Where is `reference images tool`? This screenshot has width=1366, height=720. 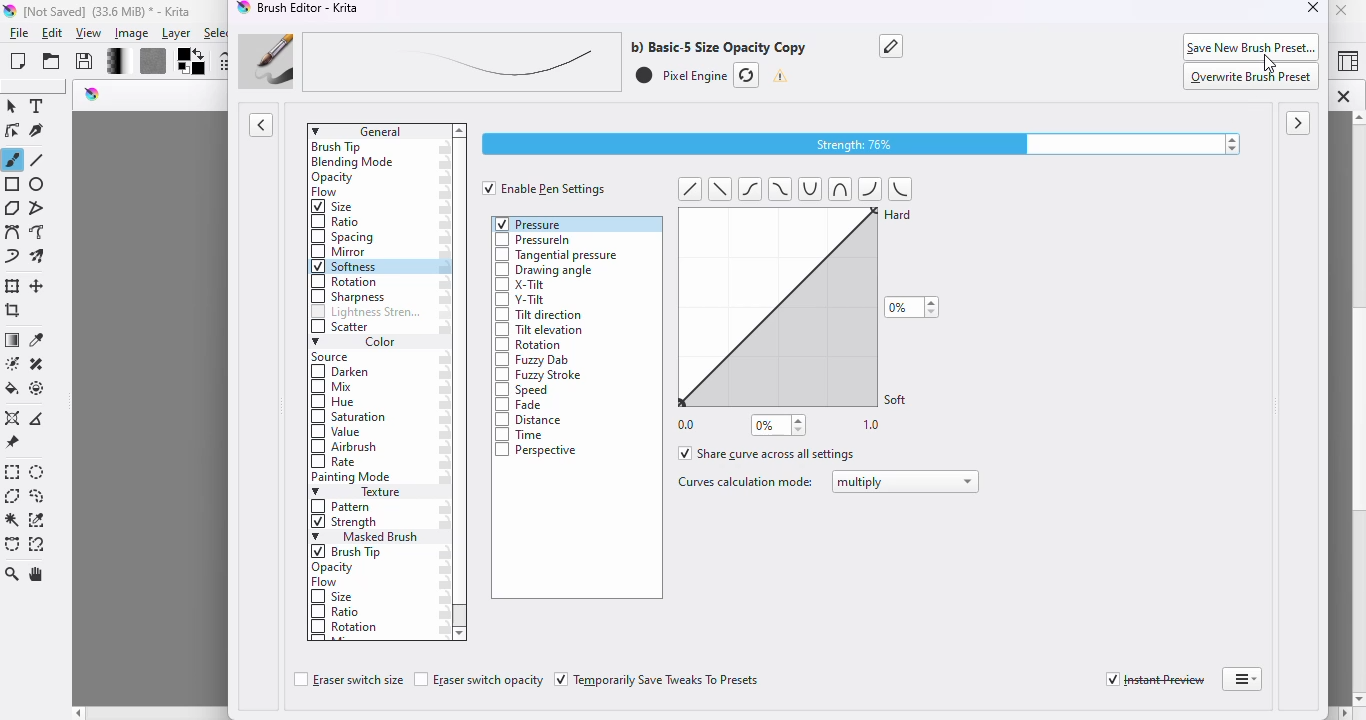
reference images tool is located at coordinates (12, 443).